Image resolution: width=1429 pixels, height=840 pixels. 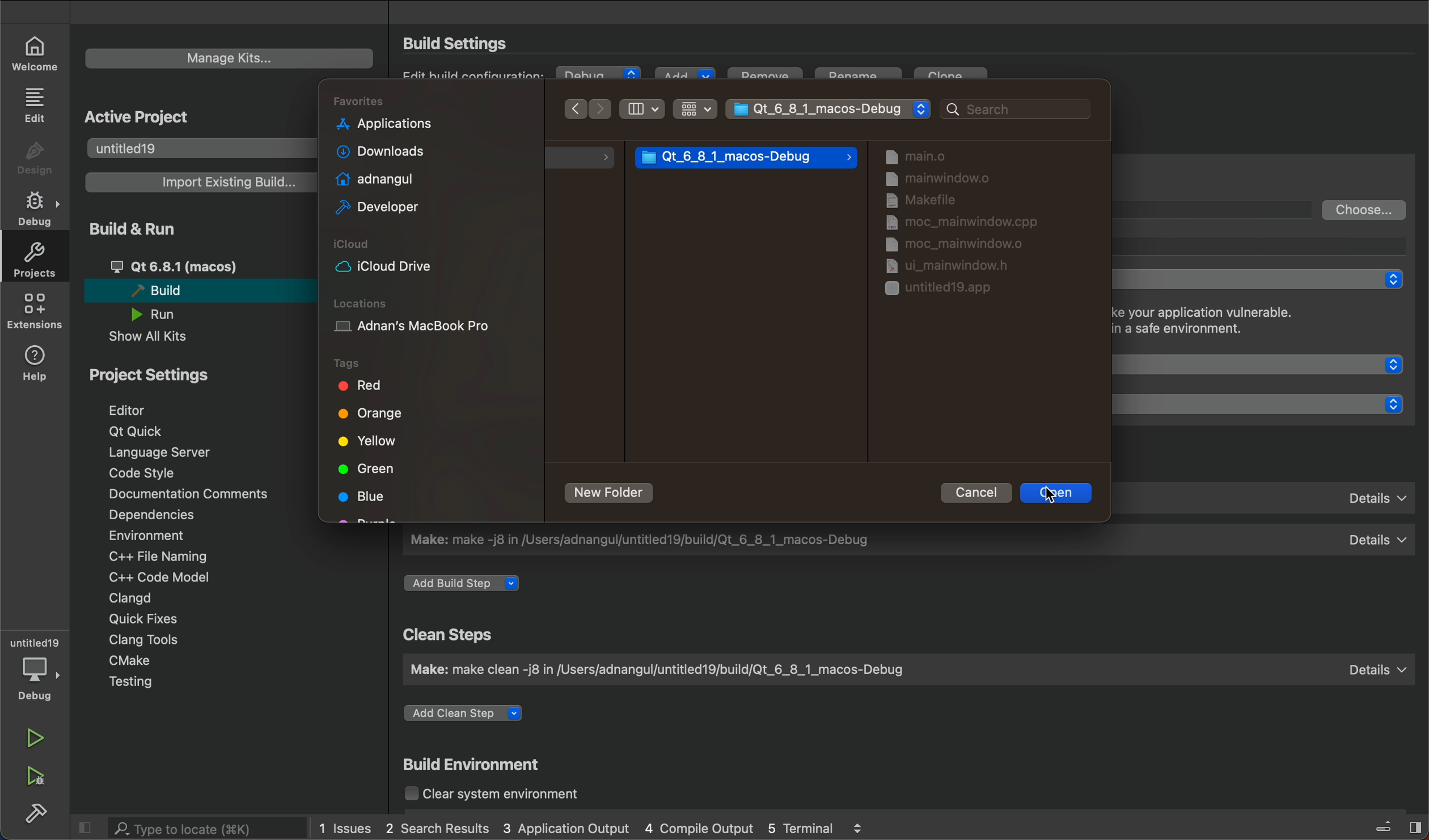 What do you see at coordinates (611, 493) in the screenshot?
I see `new folder` at bounding box center [611, 493].